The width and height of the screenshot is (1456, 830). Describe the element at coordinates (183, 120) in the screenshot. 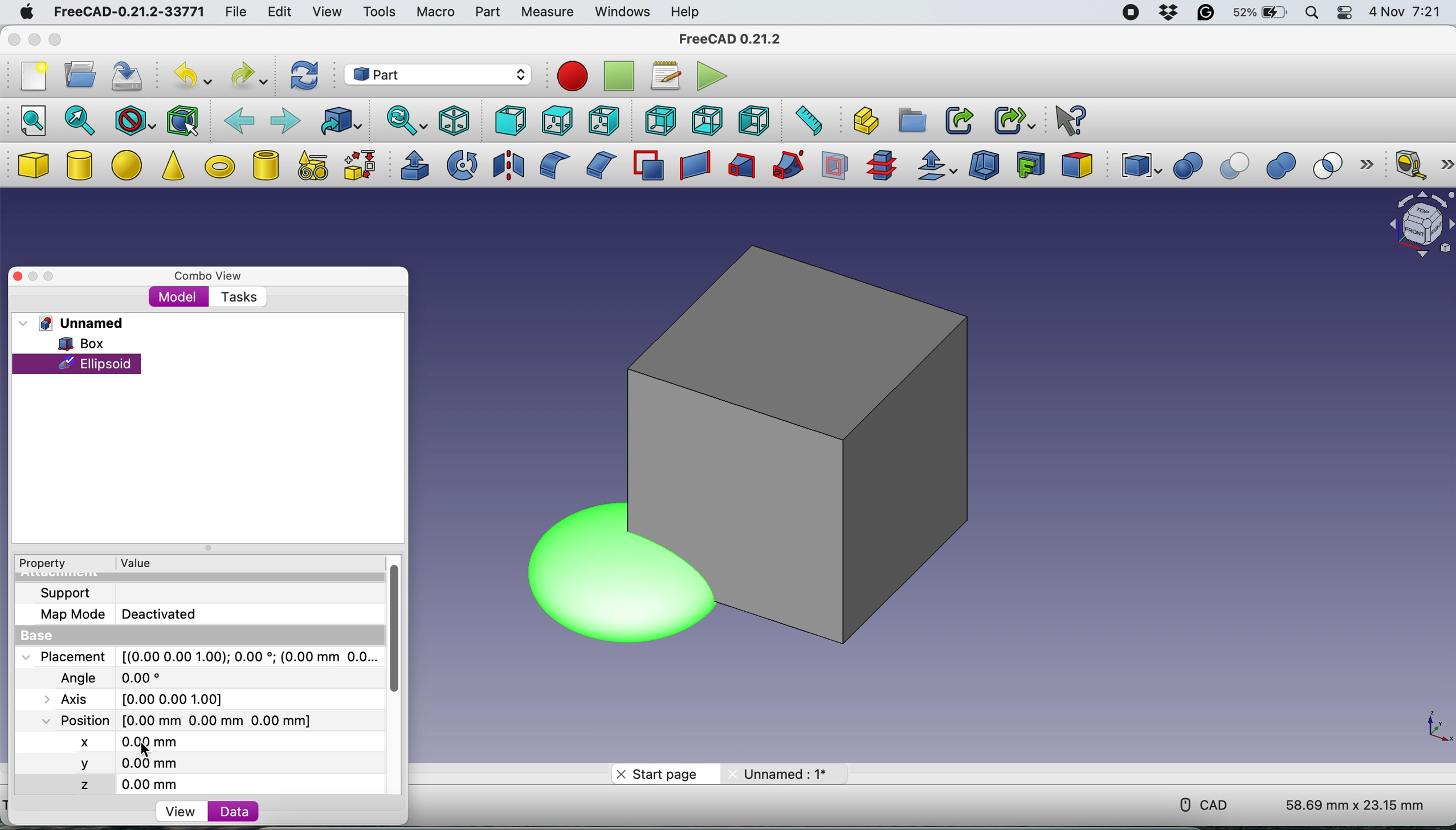

I see `bounding box` at that location.